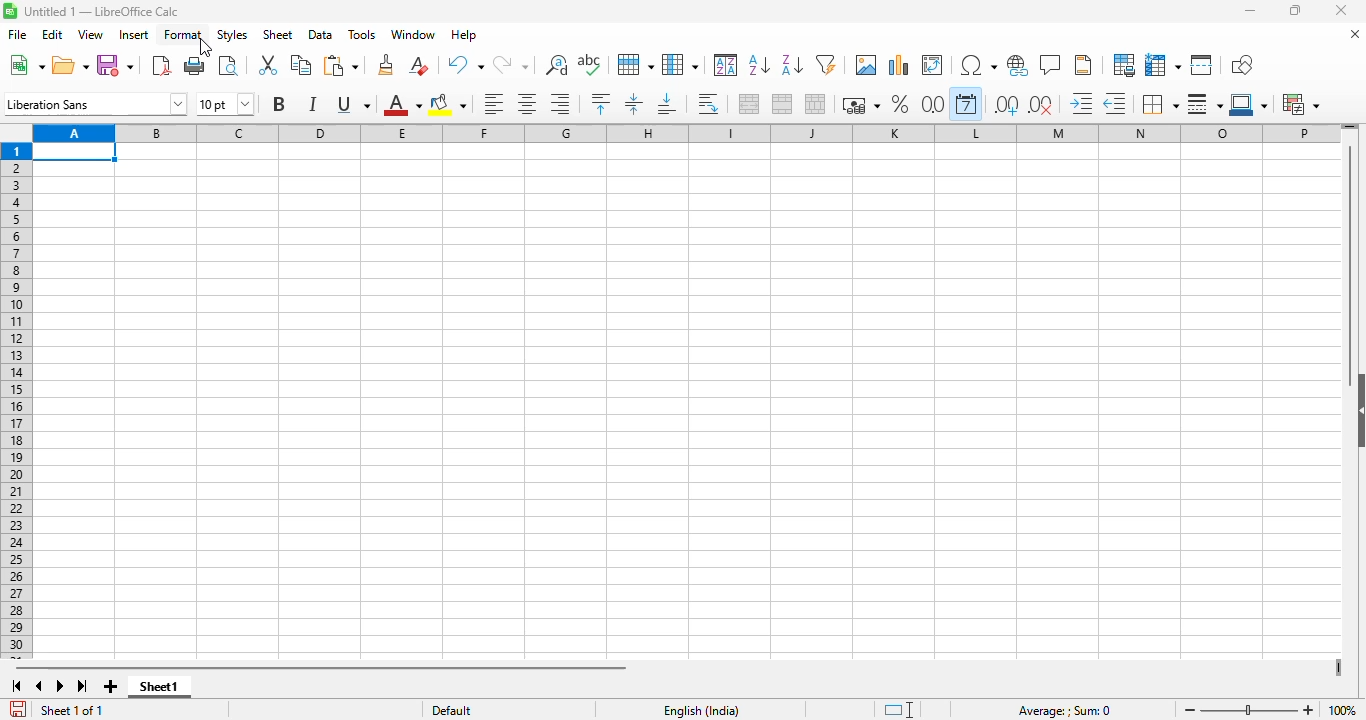  I want to click on close document, so click(1356, 34).